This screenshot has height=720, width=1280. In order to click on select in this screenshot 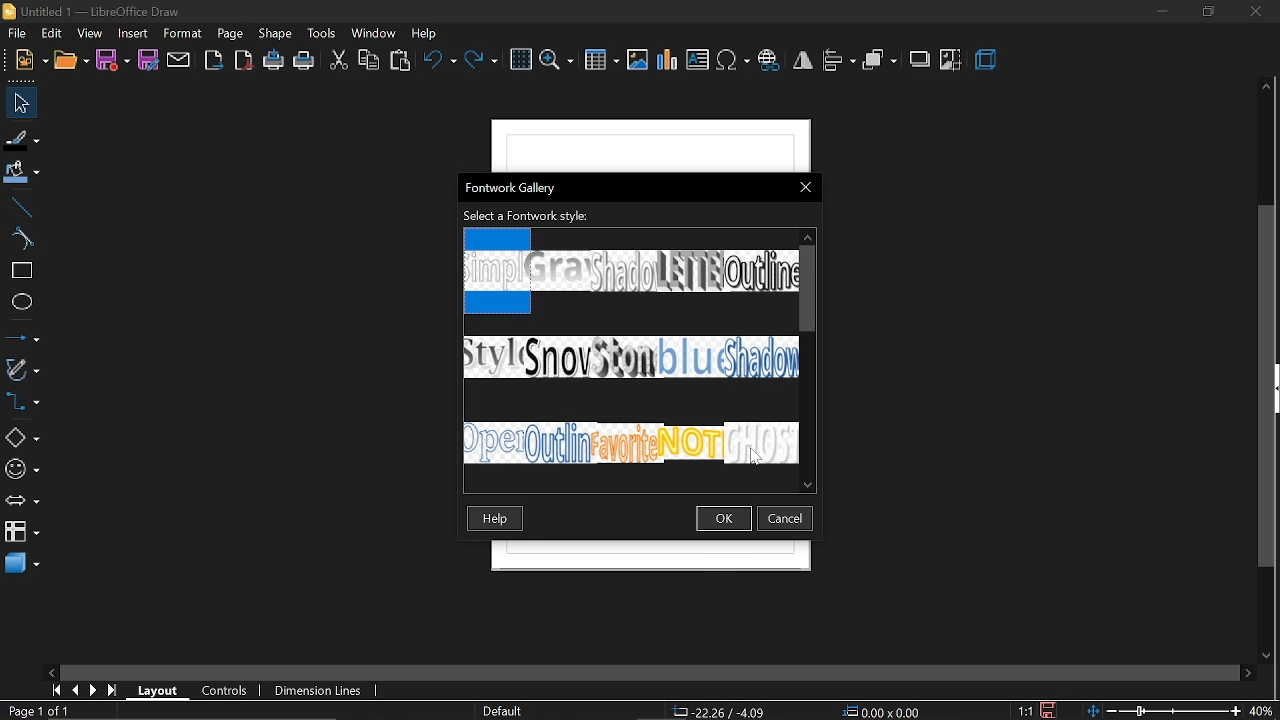, I will do `click(18, 101)`.